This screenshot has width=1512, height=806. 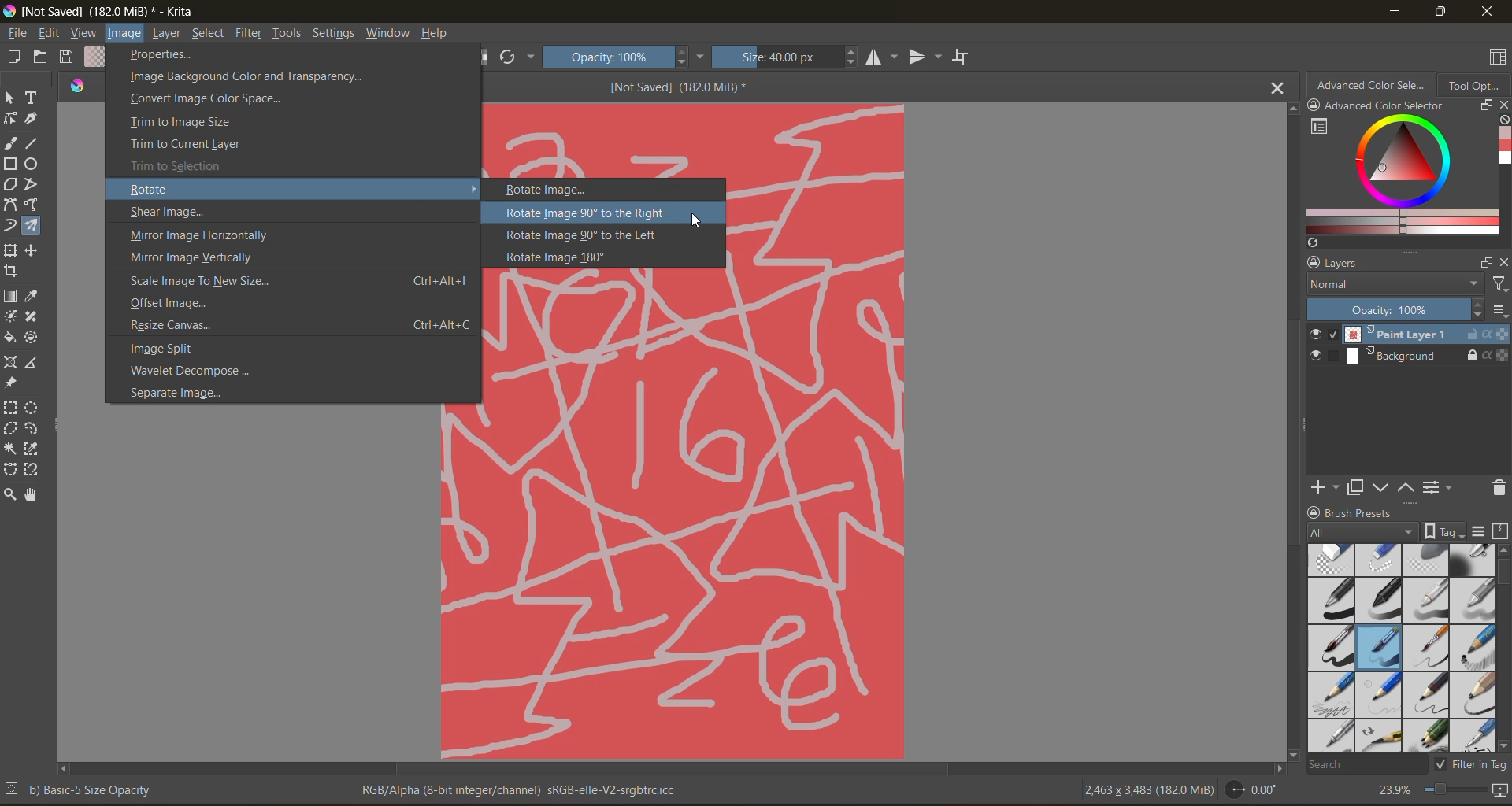 What do you see at coordinates (1499, 312) in the screenshot?
I see `options` at bounding box center [1499, 312].